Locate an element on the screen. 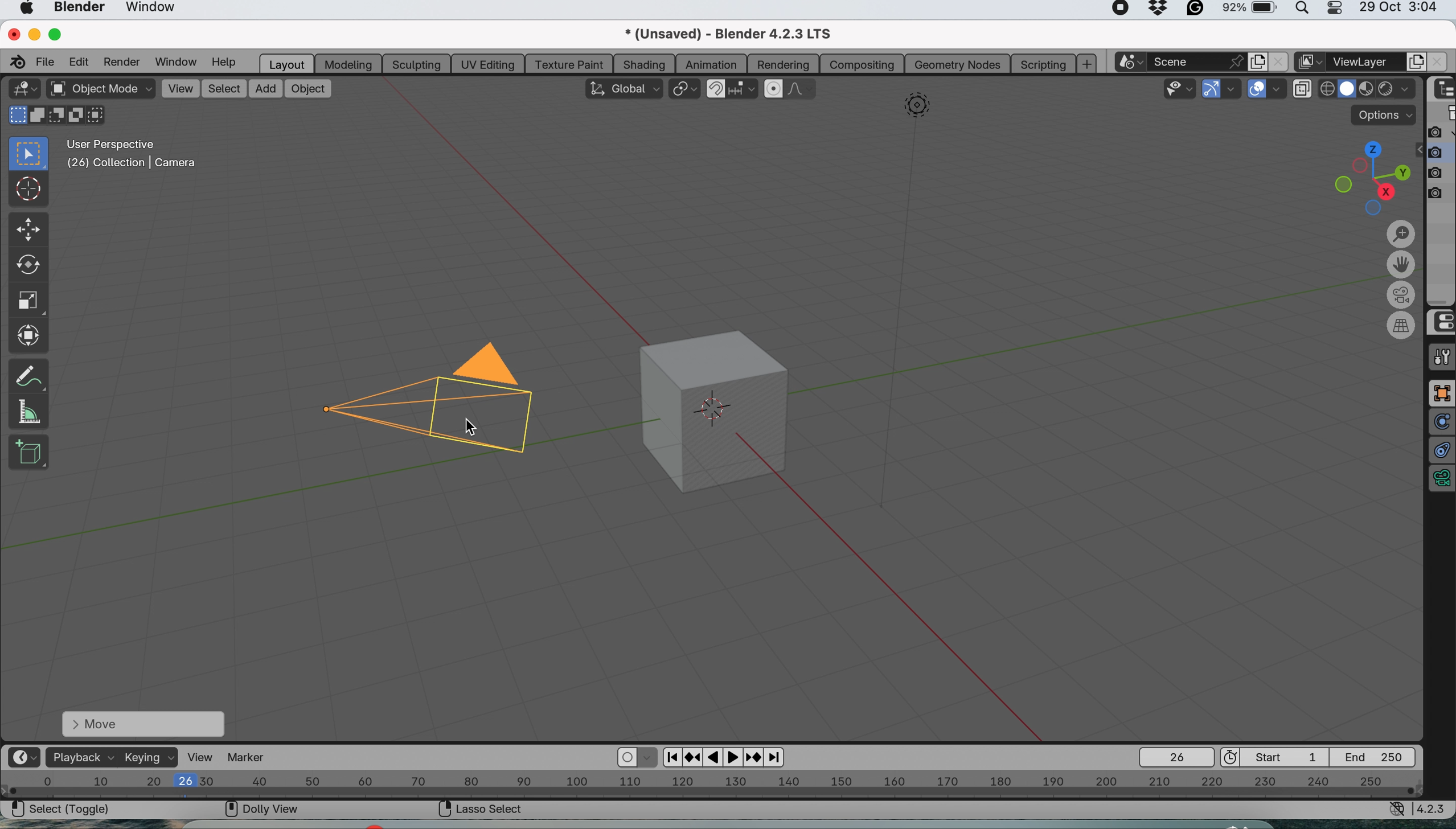 This screenshot has height=829, width=1456. control center is located at coordinates (1339, 11).